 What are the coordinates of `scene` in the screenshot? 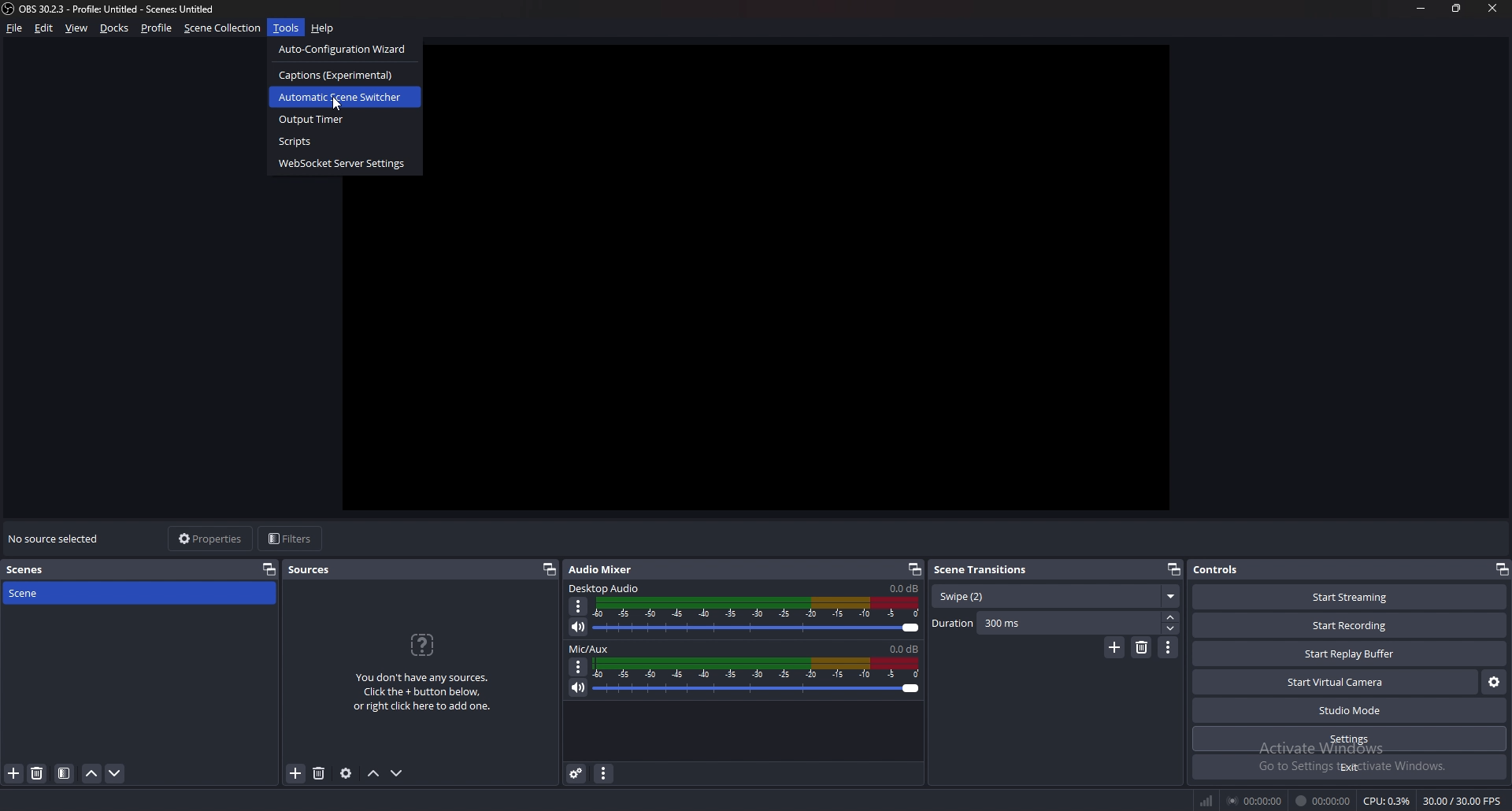 It's located at (42, 592).